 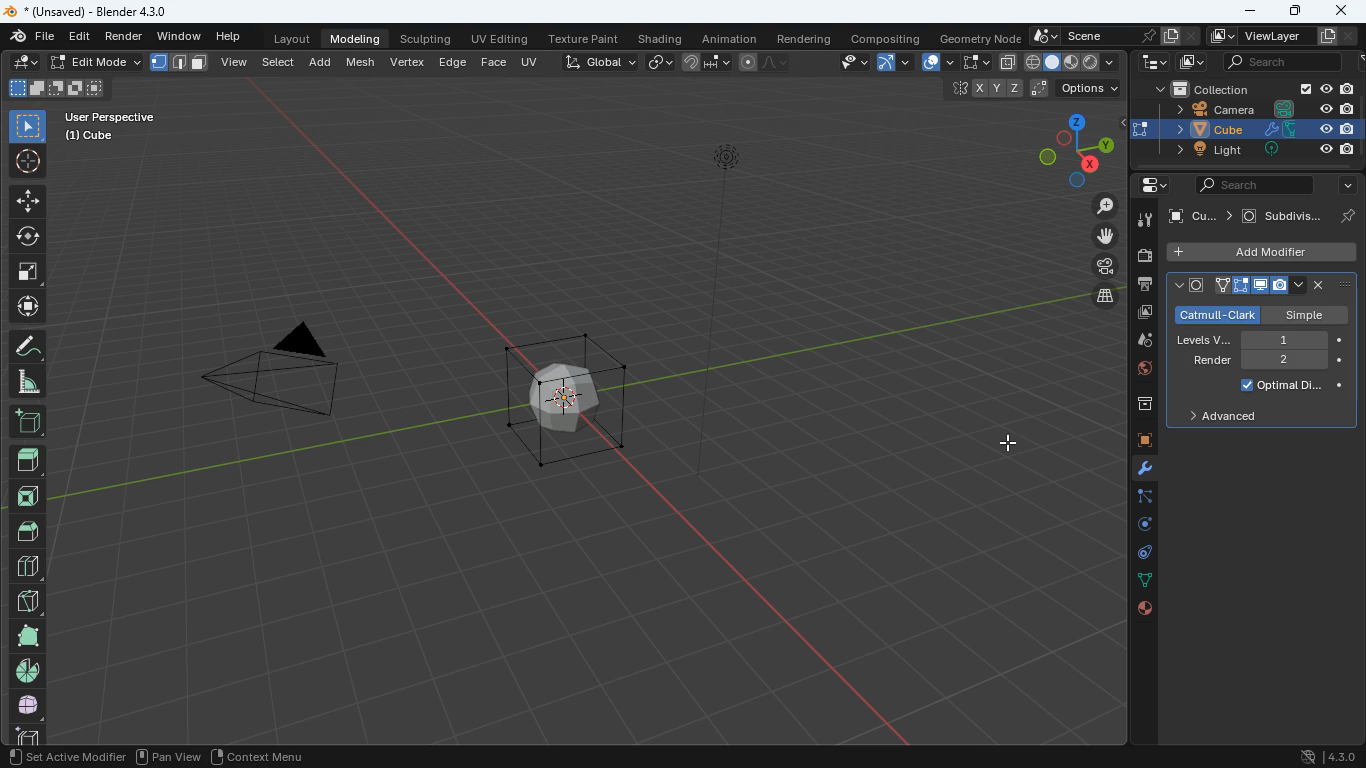 What do you see at coordinates (280, 65) in the screenshot?
I see `select` at bounding box center [280, 65].